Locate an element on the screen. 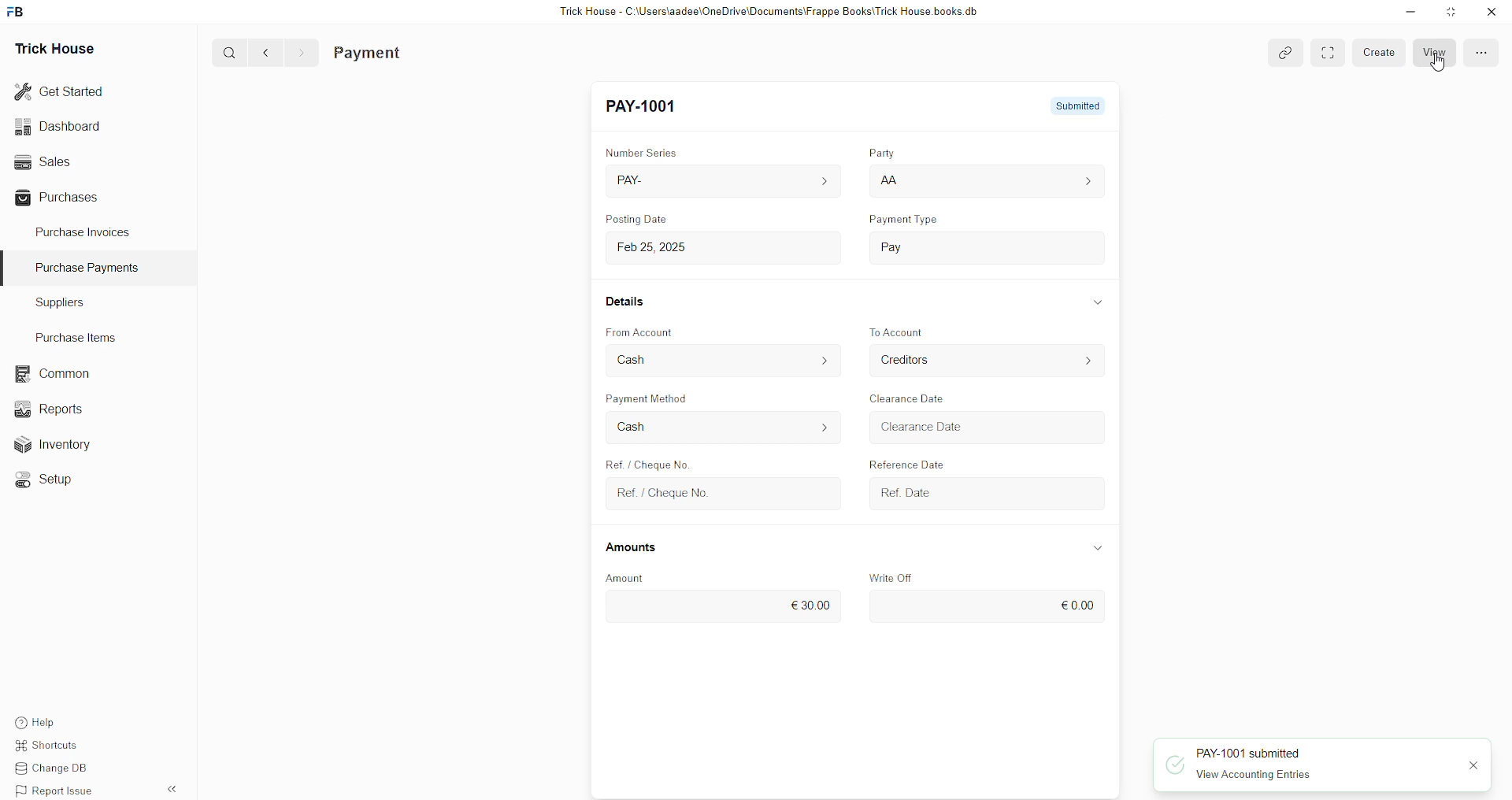 This screenshot has width=1512, height=800. Cash is located at coordinates (646, 359).